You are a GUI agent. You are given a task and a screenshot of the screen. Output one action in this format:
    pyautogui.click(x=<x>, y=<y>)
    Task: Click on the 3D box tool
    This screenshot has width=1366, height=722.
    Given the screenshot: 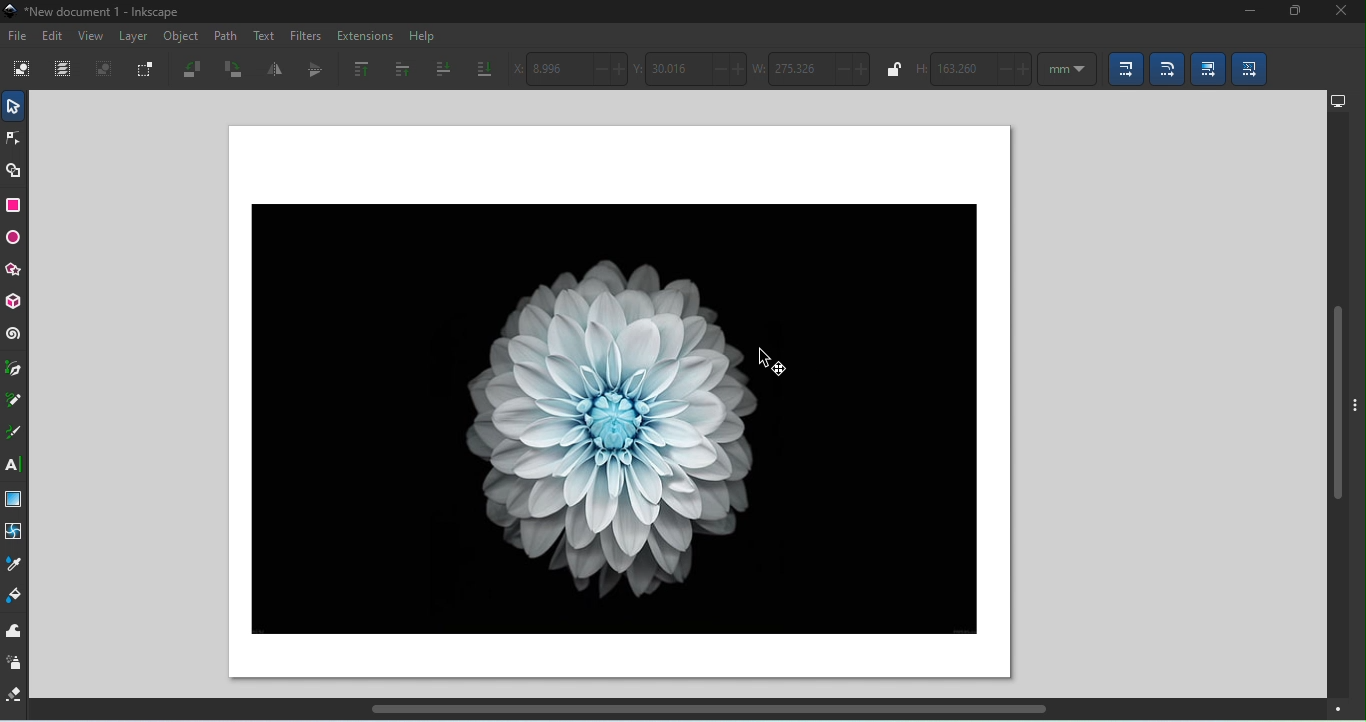 What is the action you would take?
    pyautogui.click(x=13, y=302)
    